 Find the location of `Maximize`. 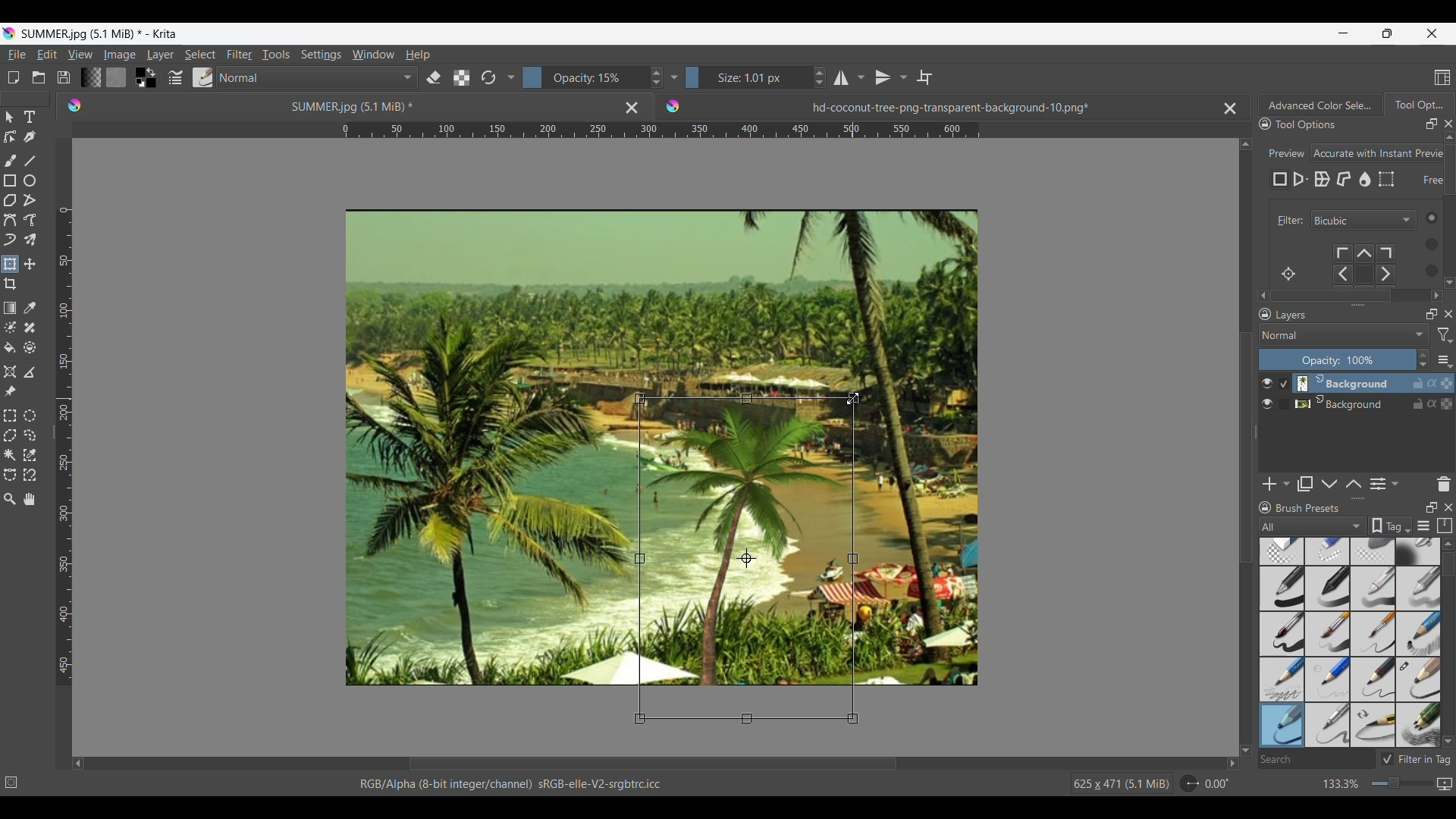

Maximize is located at coordinates (1446, 405).